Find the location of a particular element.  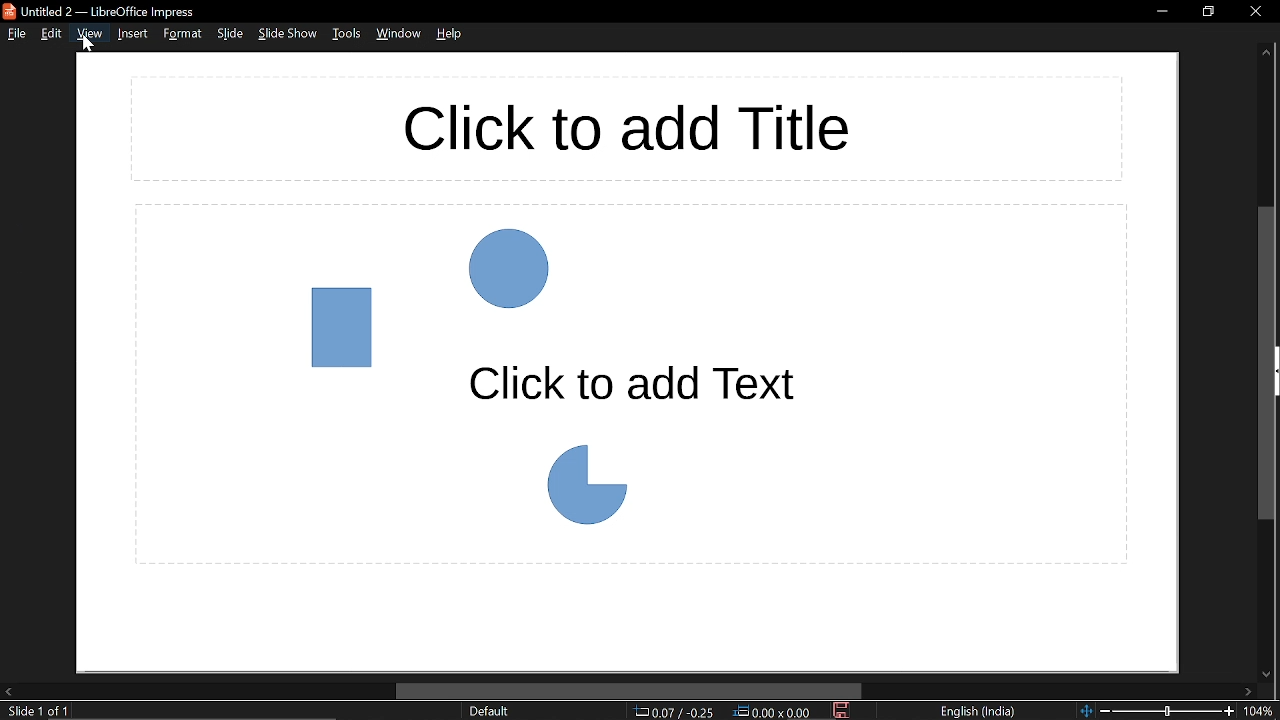

Slide is located at coordinates (230, 35).